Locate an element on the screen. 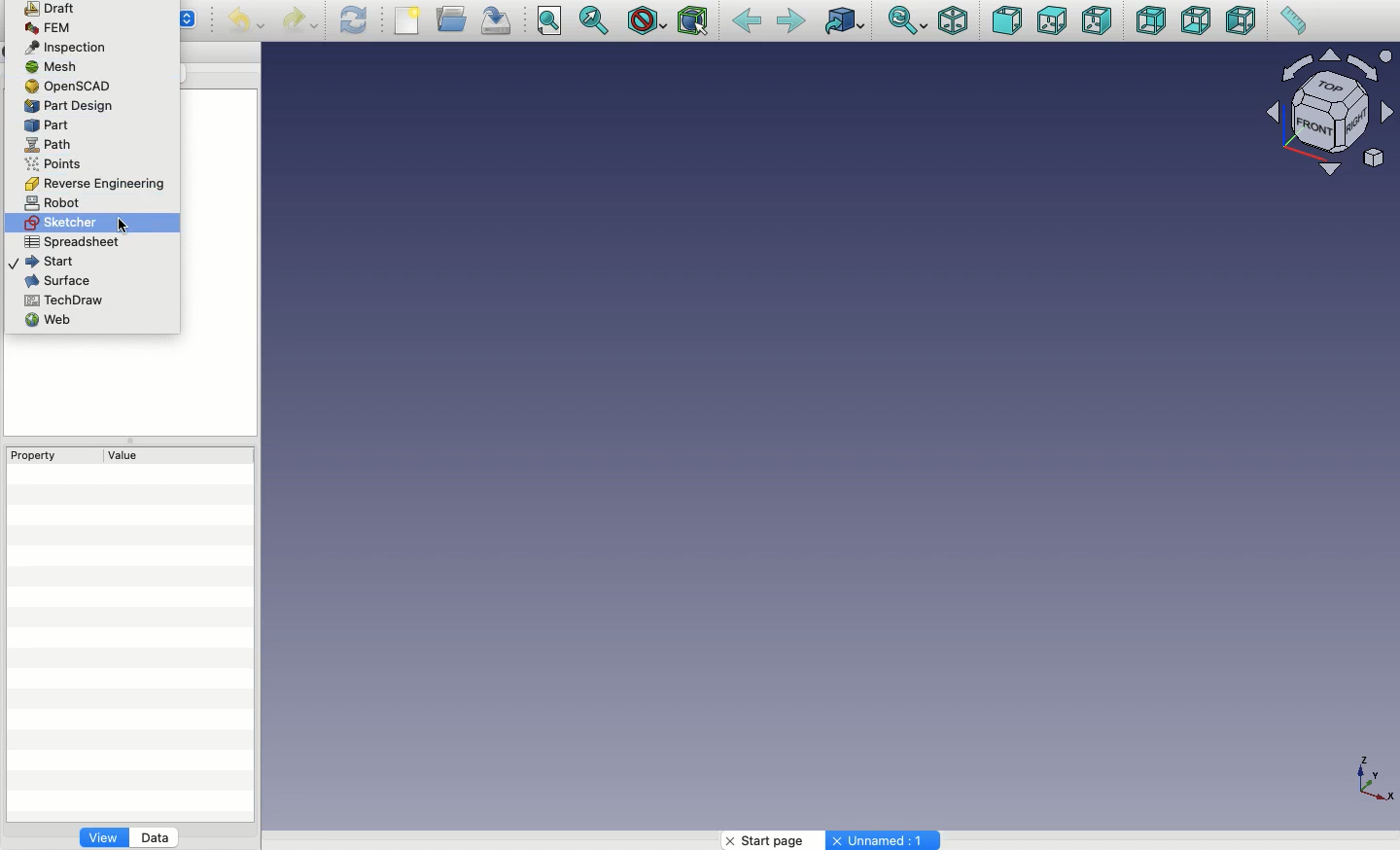 Image resolution: width=1400 pixels, height=850 pixels. Part design is located at coordinates (67, 106).